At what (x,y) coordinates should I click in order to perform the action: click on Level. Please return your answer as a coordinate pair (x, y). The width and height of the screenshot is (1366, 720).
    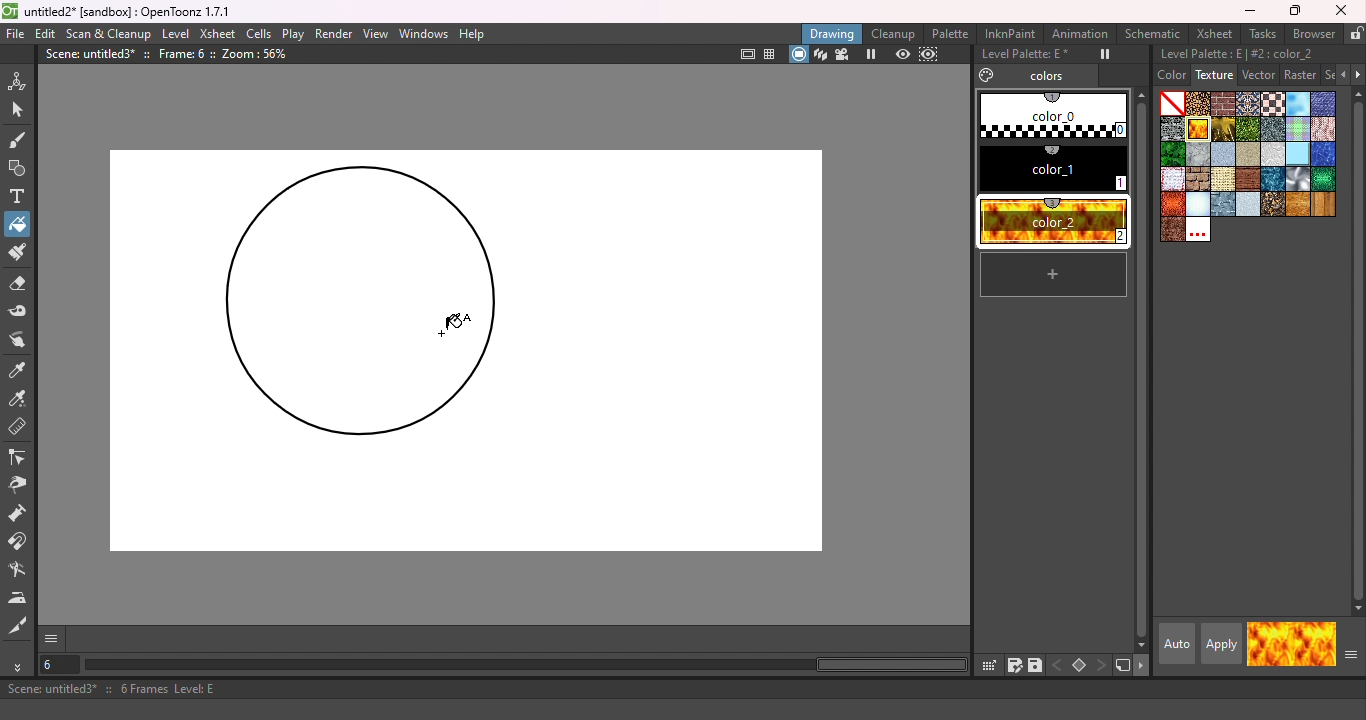
    Looking at the image, I should click on (177, 33).